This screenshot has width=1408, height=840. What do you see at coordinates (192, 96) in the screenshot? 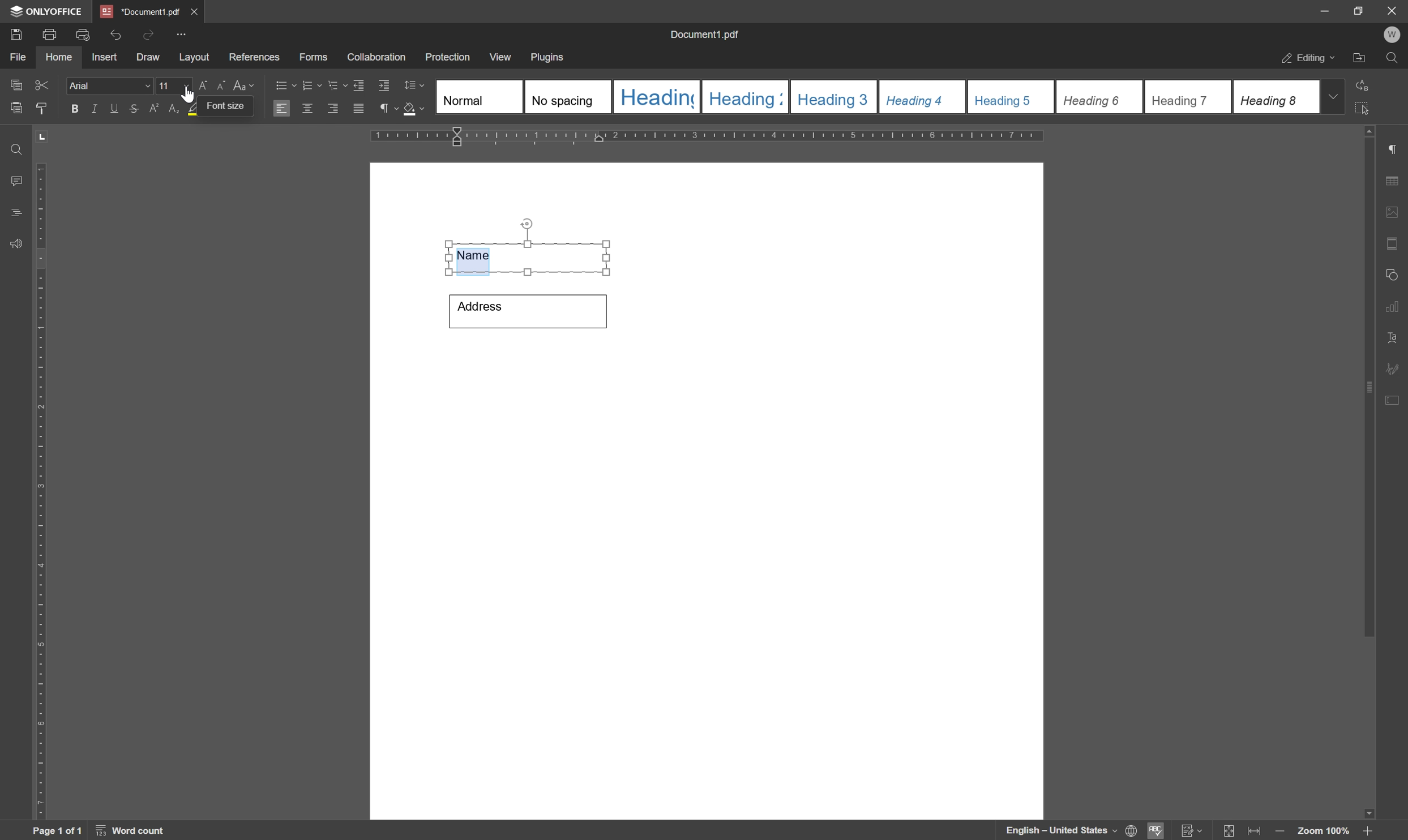
I see `cursor` at bounding box center [192, 96].